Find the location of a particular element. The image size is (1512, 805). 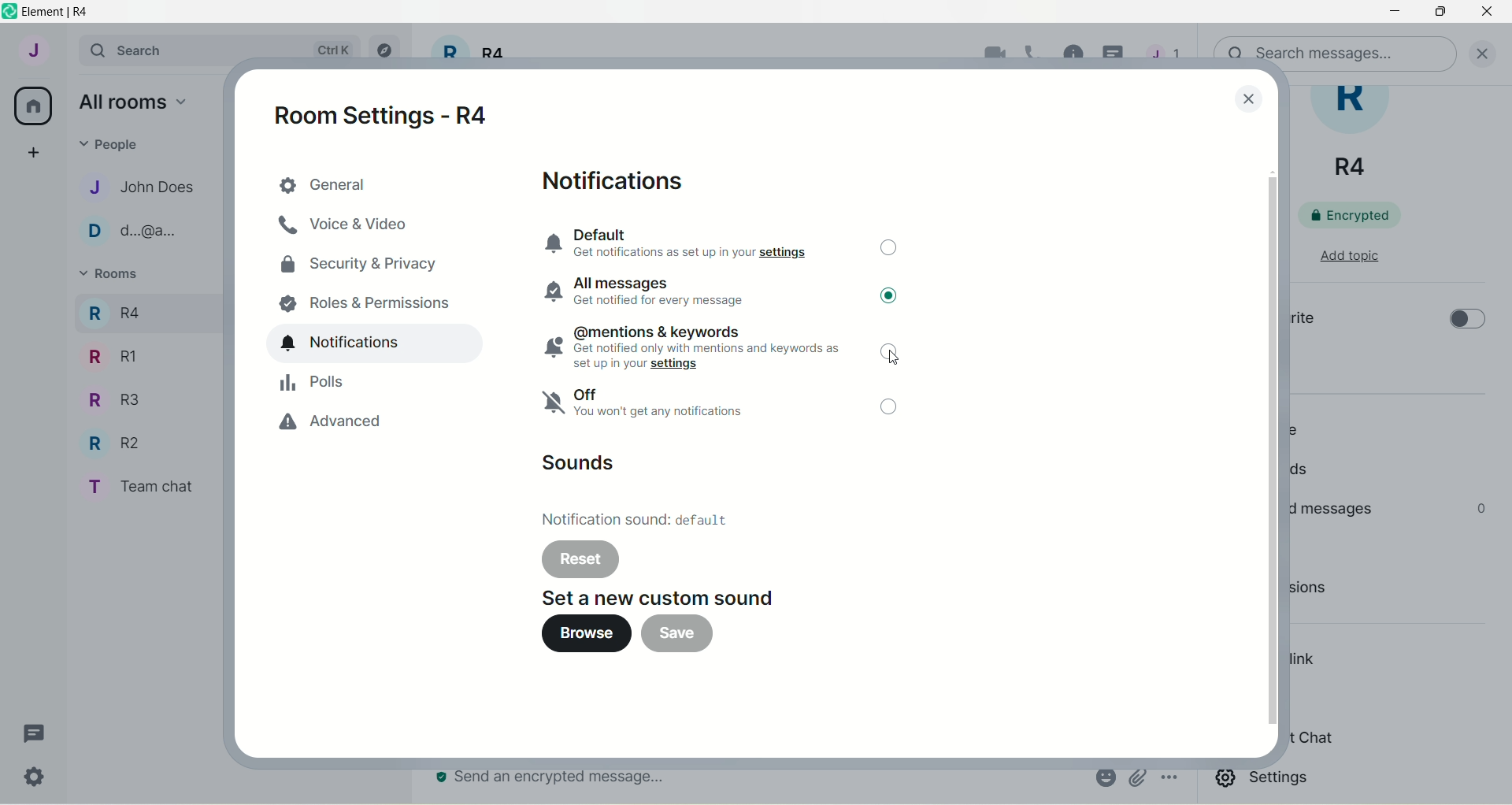

video call is located at coordinates (991, 54).